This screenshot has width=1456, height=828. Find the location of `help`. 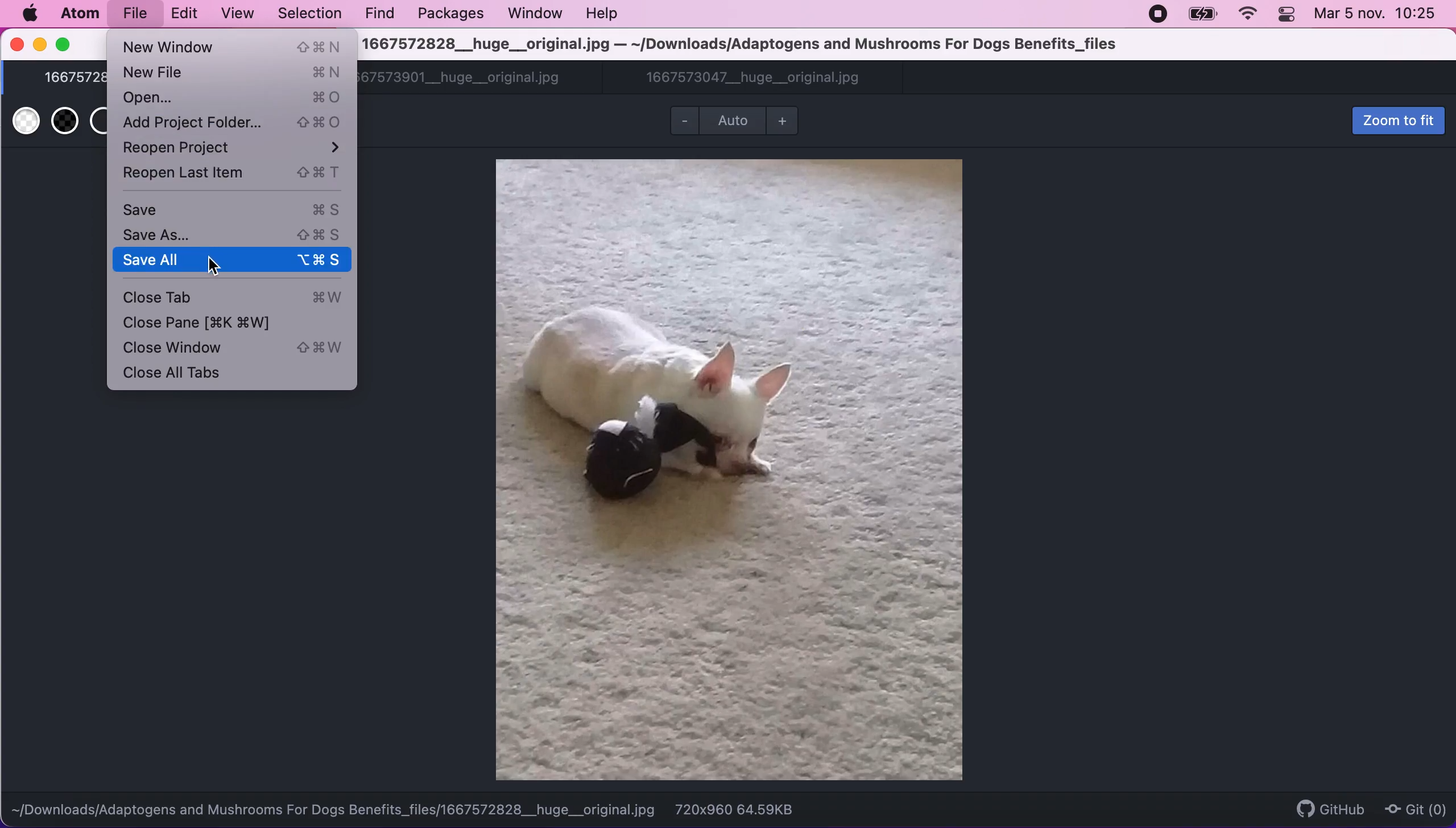

help is located at coordinates (604, 14).